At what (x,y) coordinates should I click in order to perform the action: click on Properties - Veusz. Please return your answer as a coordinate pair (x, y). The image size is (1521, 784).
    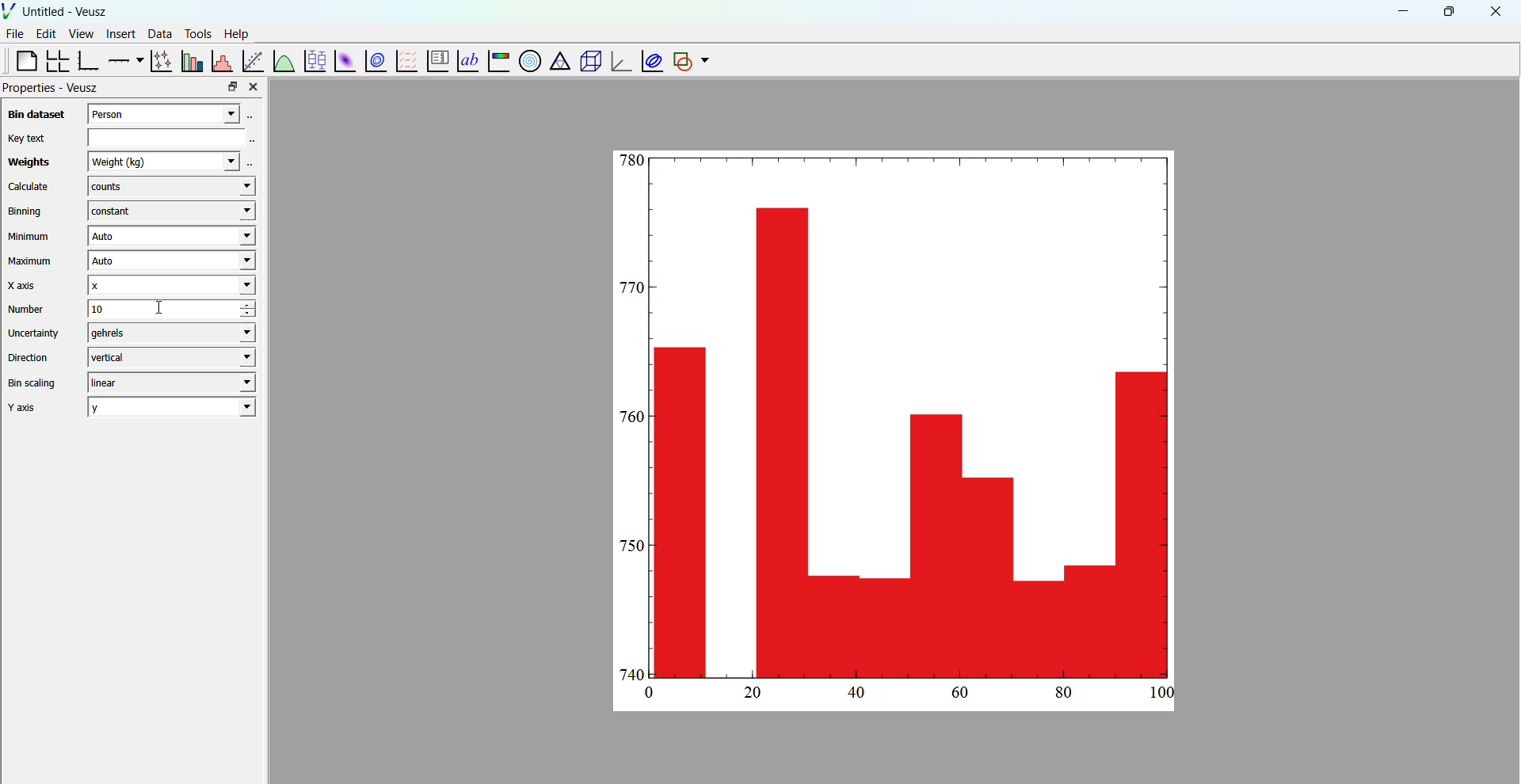
    Looking at the image, I should click on (52, 88).